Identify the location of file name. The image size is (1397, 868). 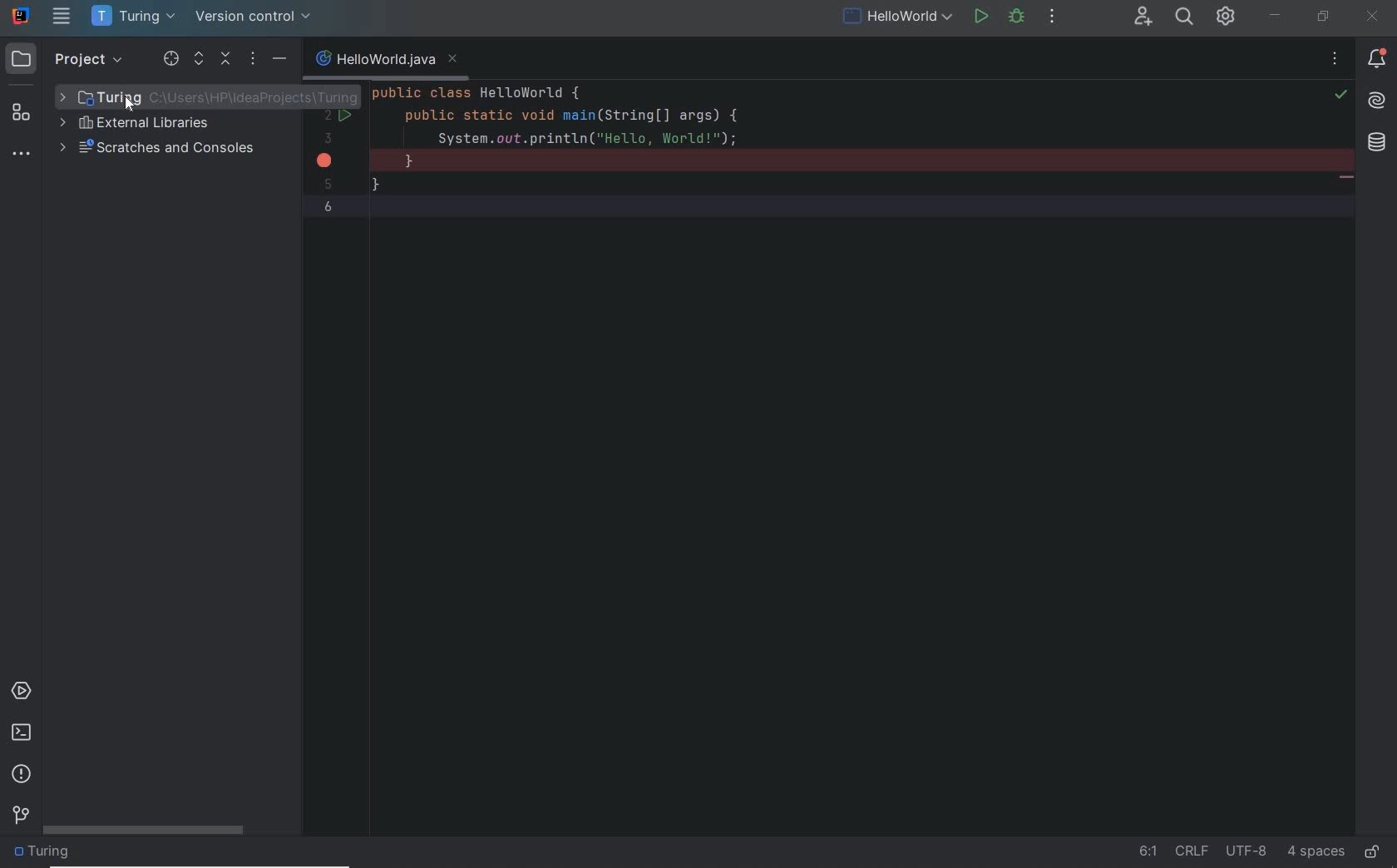
(375, 60).